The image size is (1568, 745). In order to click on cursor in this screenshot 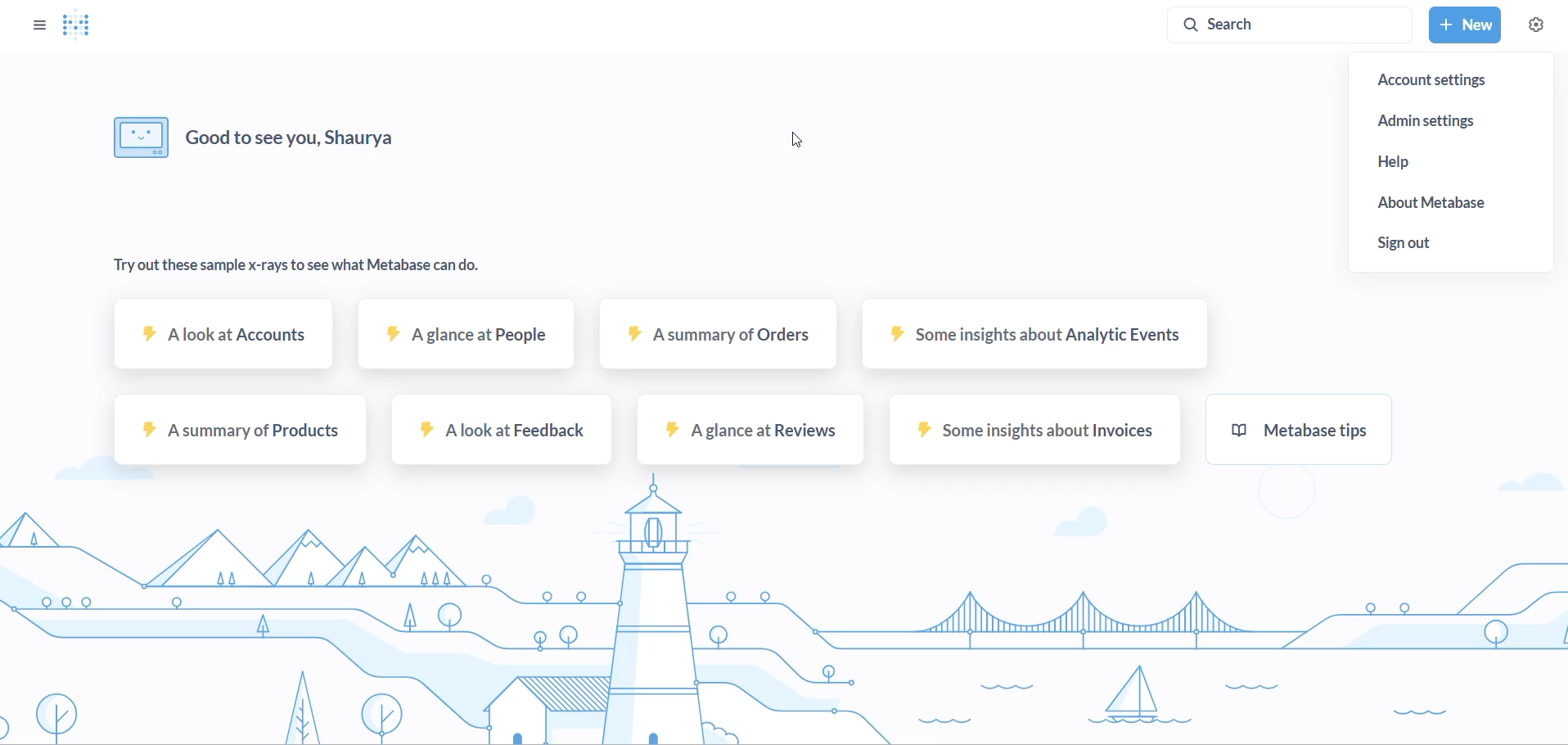, I will do `click(800, 141)`.